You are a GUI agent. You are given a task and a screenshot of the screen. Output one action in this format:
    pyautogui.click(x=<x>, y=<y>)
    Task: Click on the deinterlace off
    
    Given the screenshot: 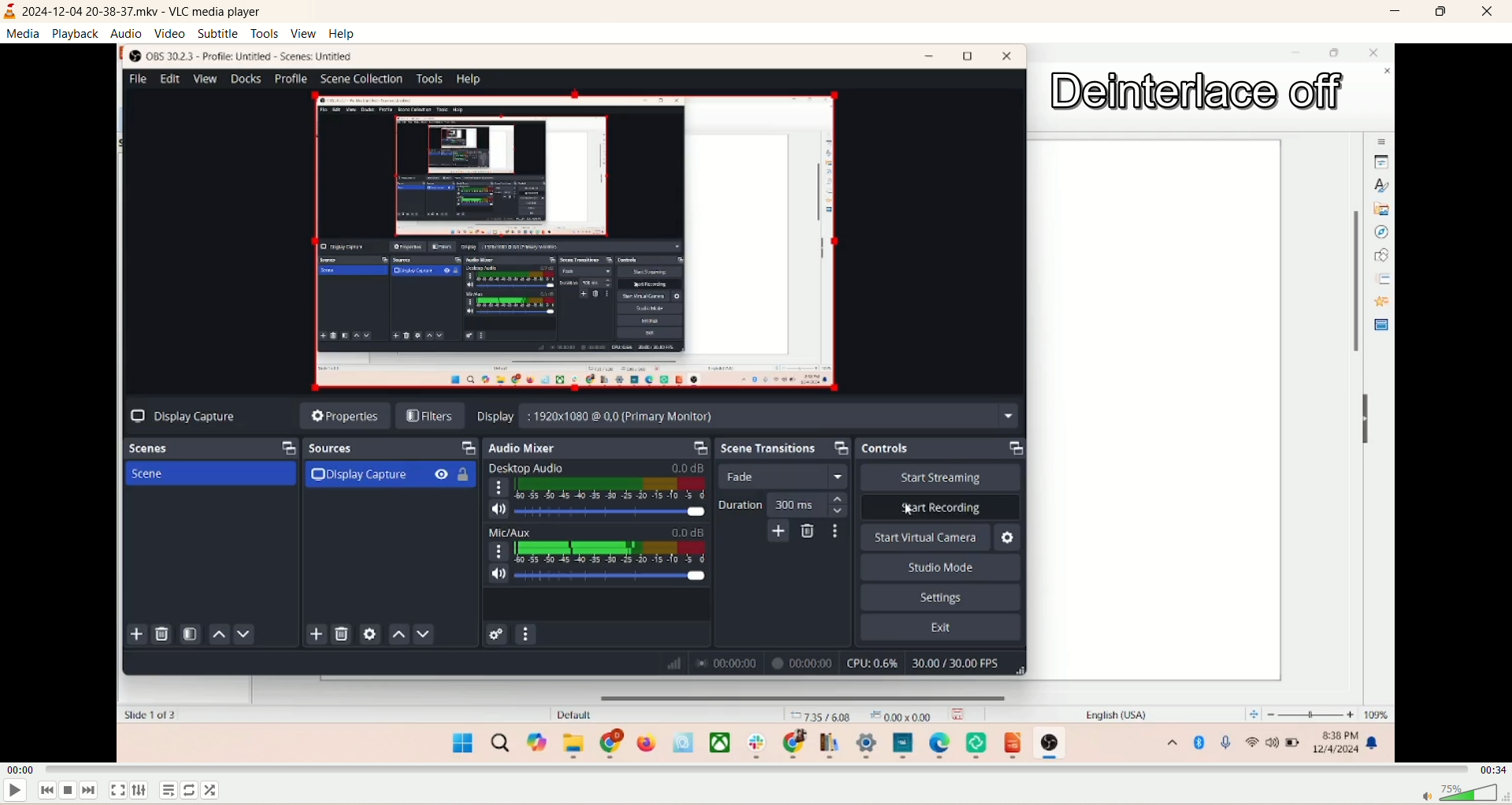 What is the action you would take?
    pyautogui.click(x=1199, y=91)
    